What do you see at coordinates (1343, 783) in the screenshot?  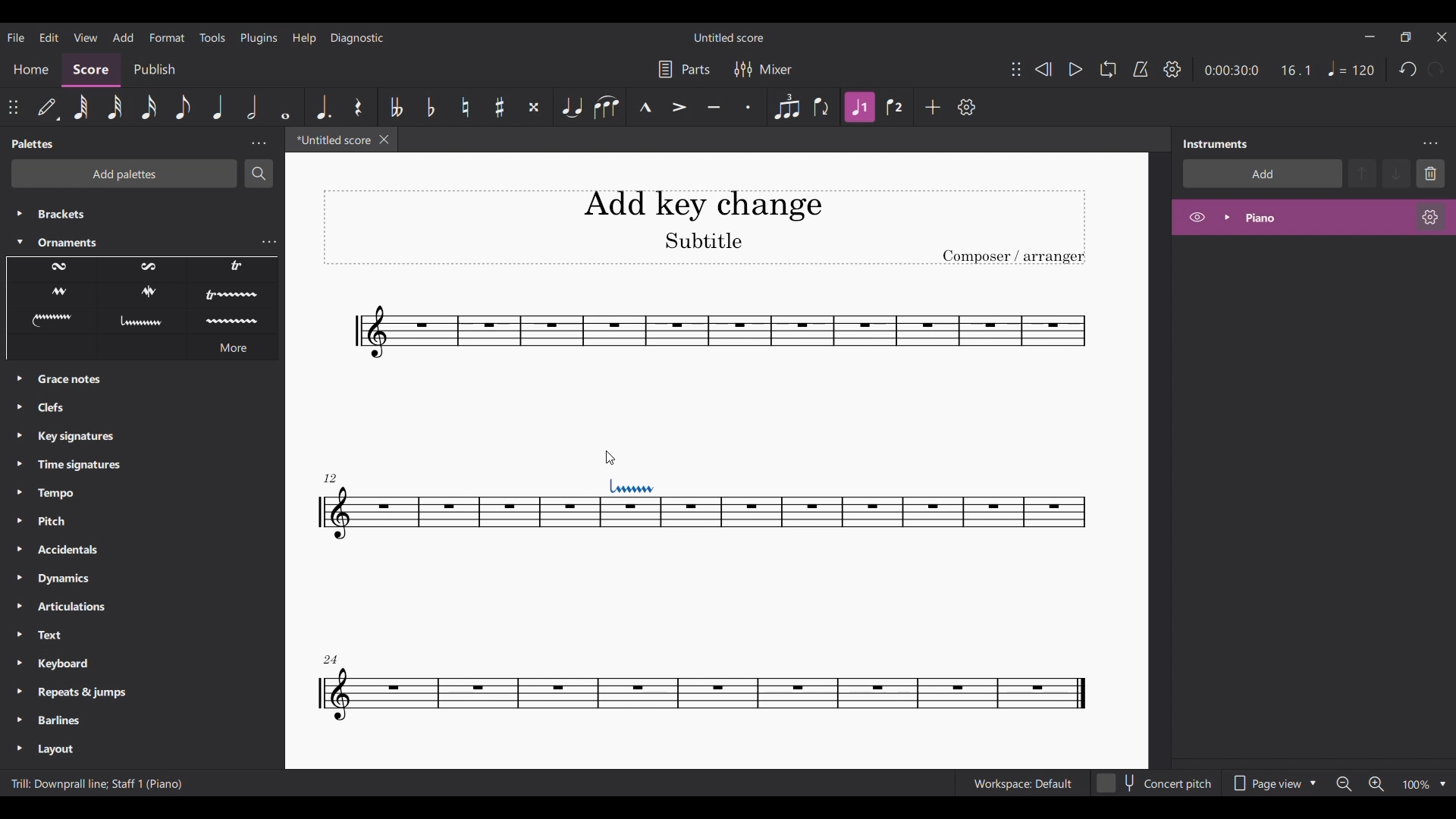 I see `Zoom out` at bounding box center [1343, 783].